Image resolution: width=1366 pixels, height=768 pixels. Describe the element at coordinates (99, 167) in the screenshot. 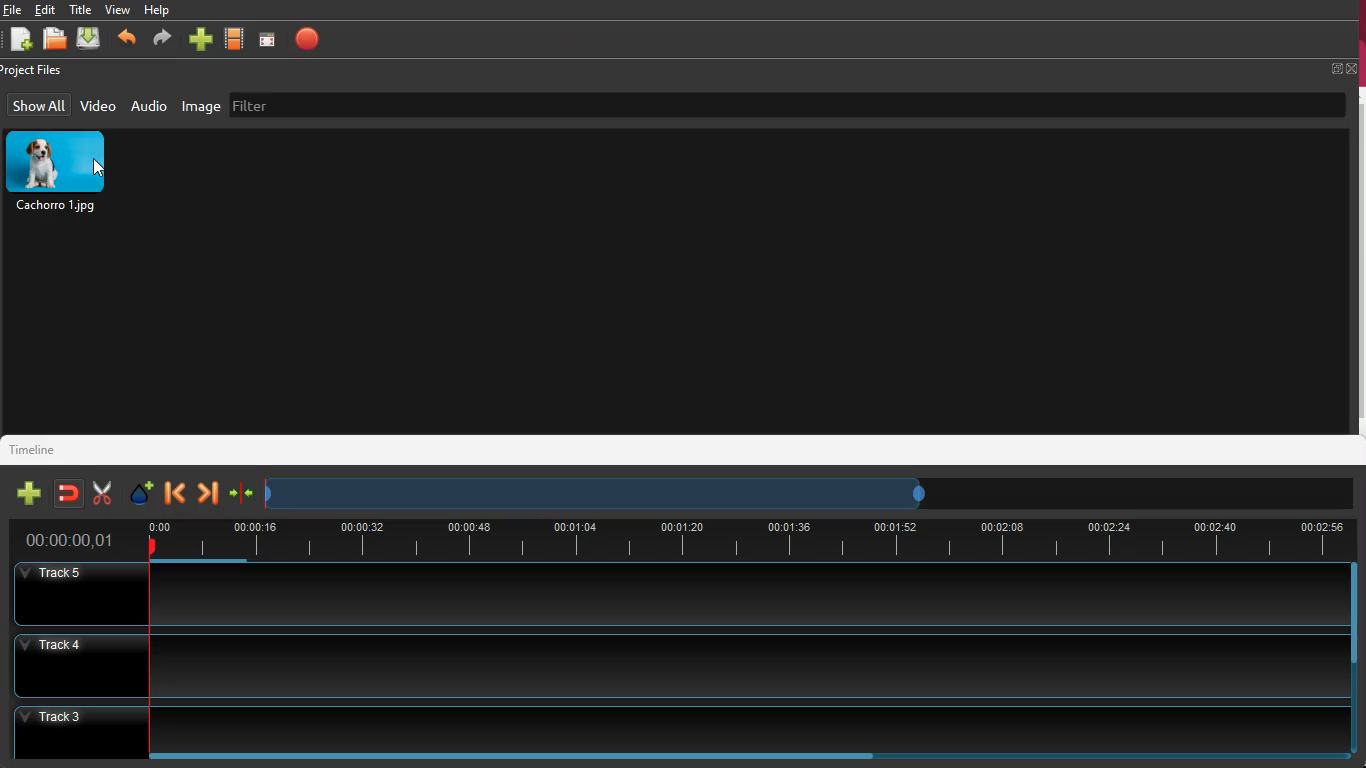

I see `cursor - mouse down` at that location.